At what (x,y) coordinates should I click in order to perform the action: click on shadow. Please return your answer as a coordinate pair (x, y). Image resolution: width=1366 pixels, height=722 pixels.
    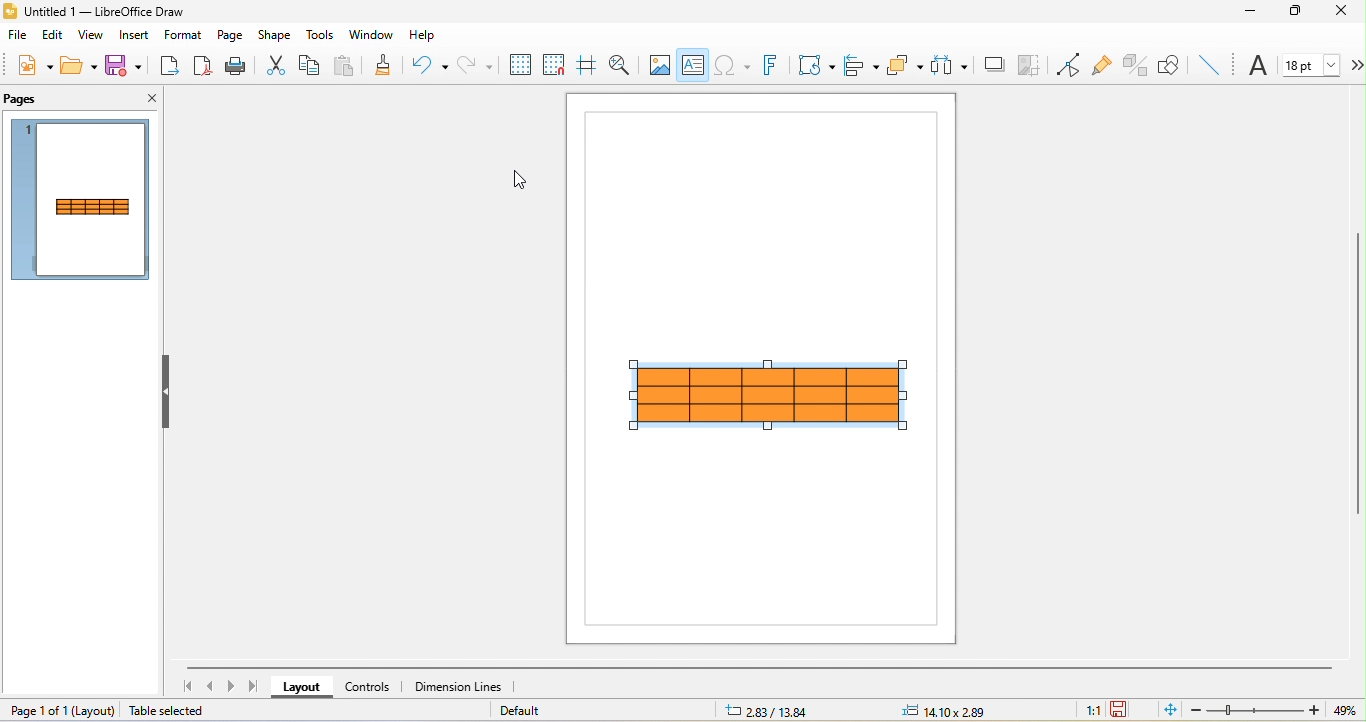
    Looking at the image, I should click on (991, 65).